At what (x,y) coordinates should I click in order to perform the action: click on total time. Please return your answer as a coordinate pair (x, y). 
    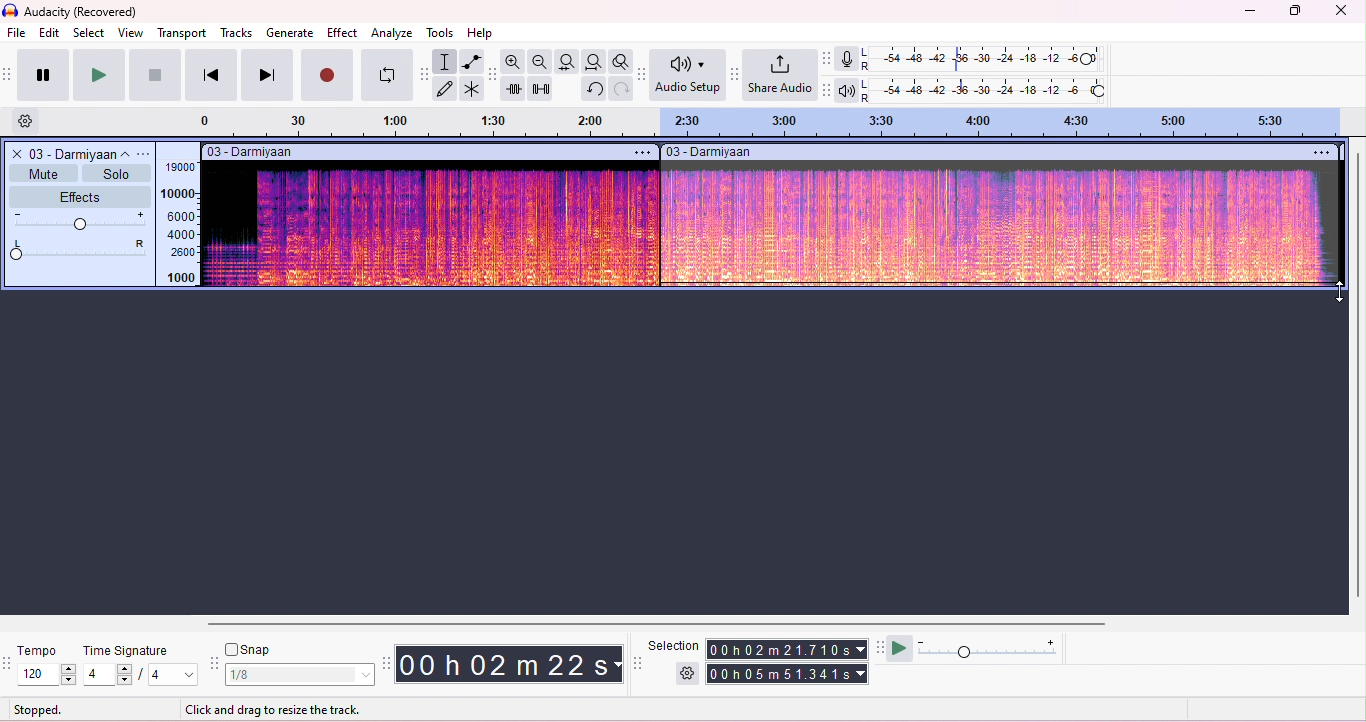
    Looking at the image, I should click on (785, 650).